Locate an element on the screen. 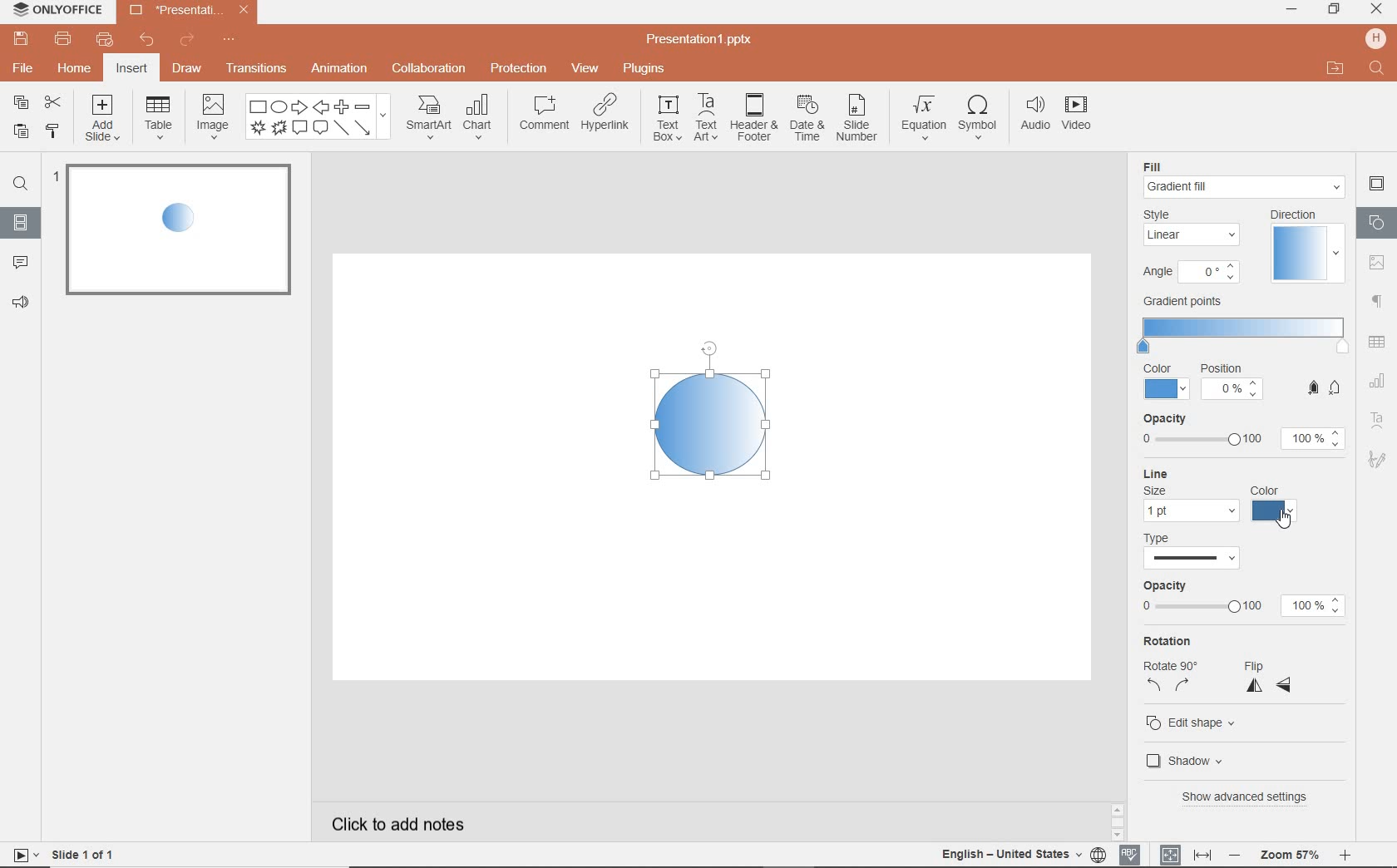 This screenshot has height=868, width=1397. scrollbar is located at coordinates (1118, 815).